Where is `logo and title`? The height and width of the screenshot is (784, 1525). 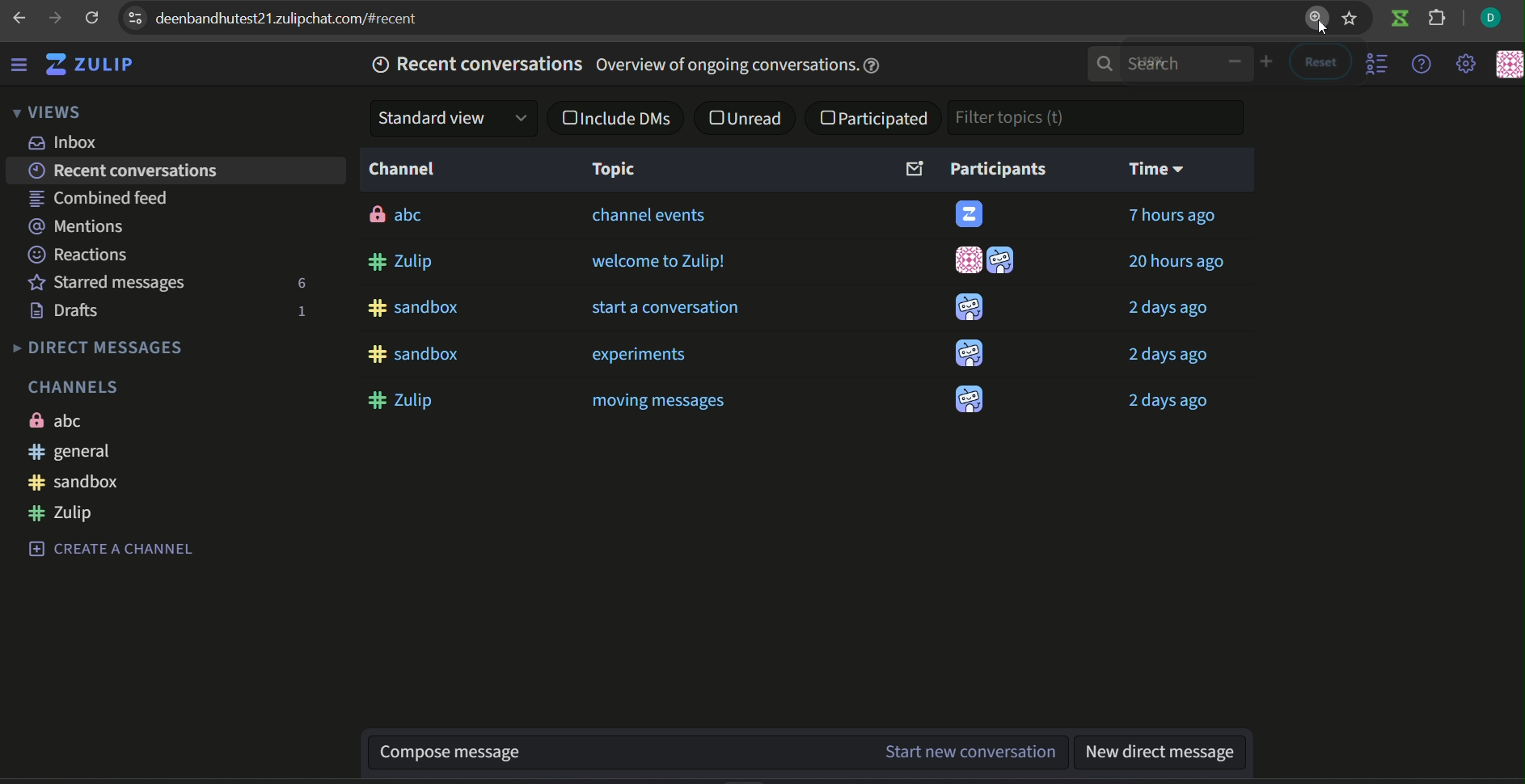 logo and title is located at coordinates (90, 65).